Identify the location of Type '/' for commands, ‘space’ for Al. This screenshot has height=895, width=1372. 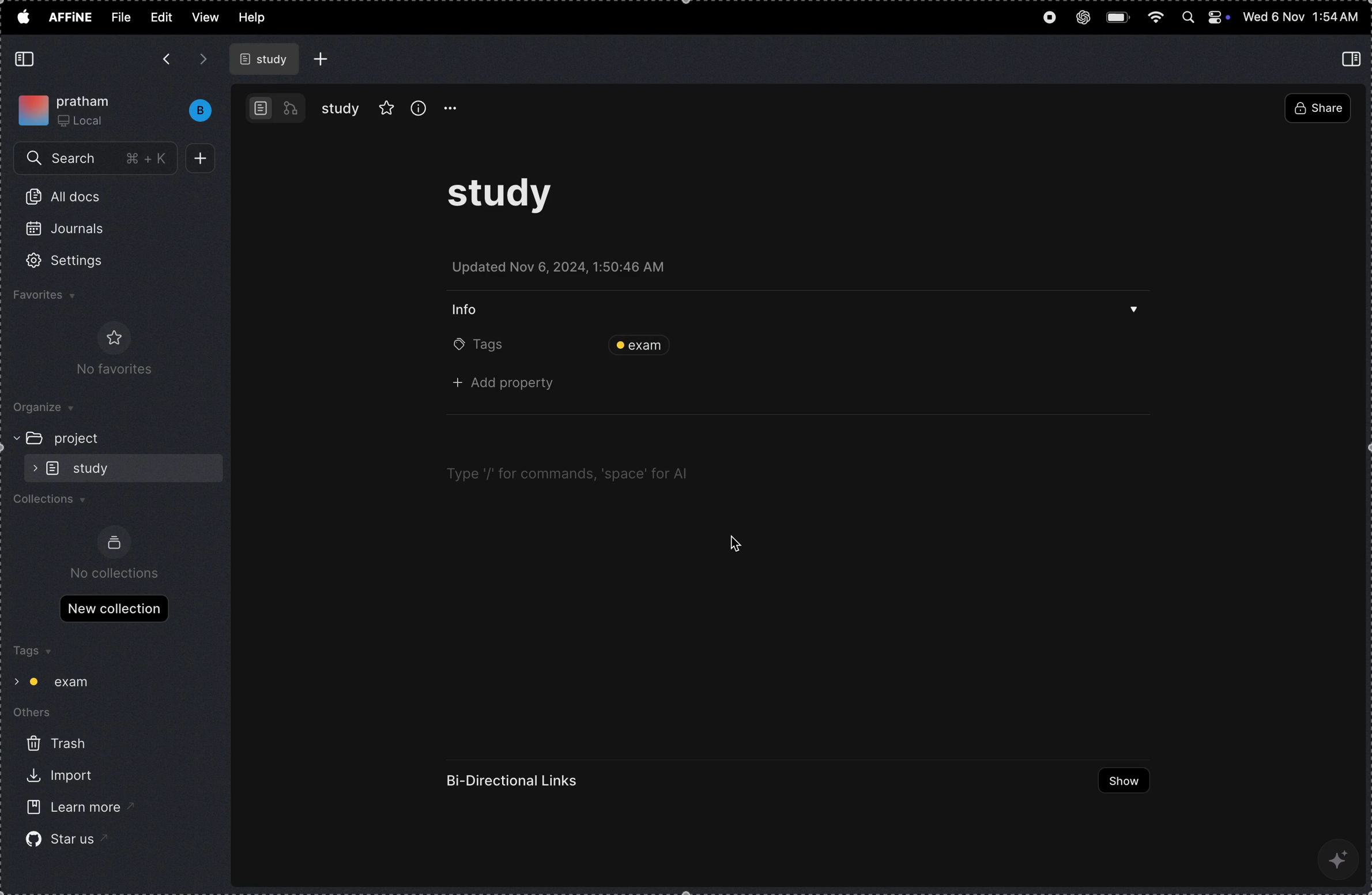
(566, 474).